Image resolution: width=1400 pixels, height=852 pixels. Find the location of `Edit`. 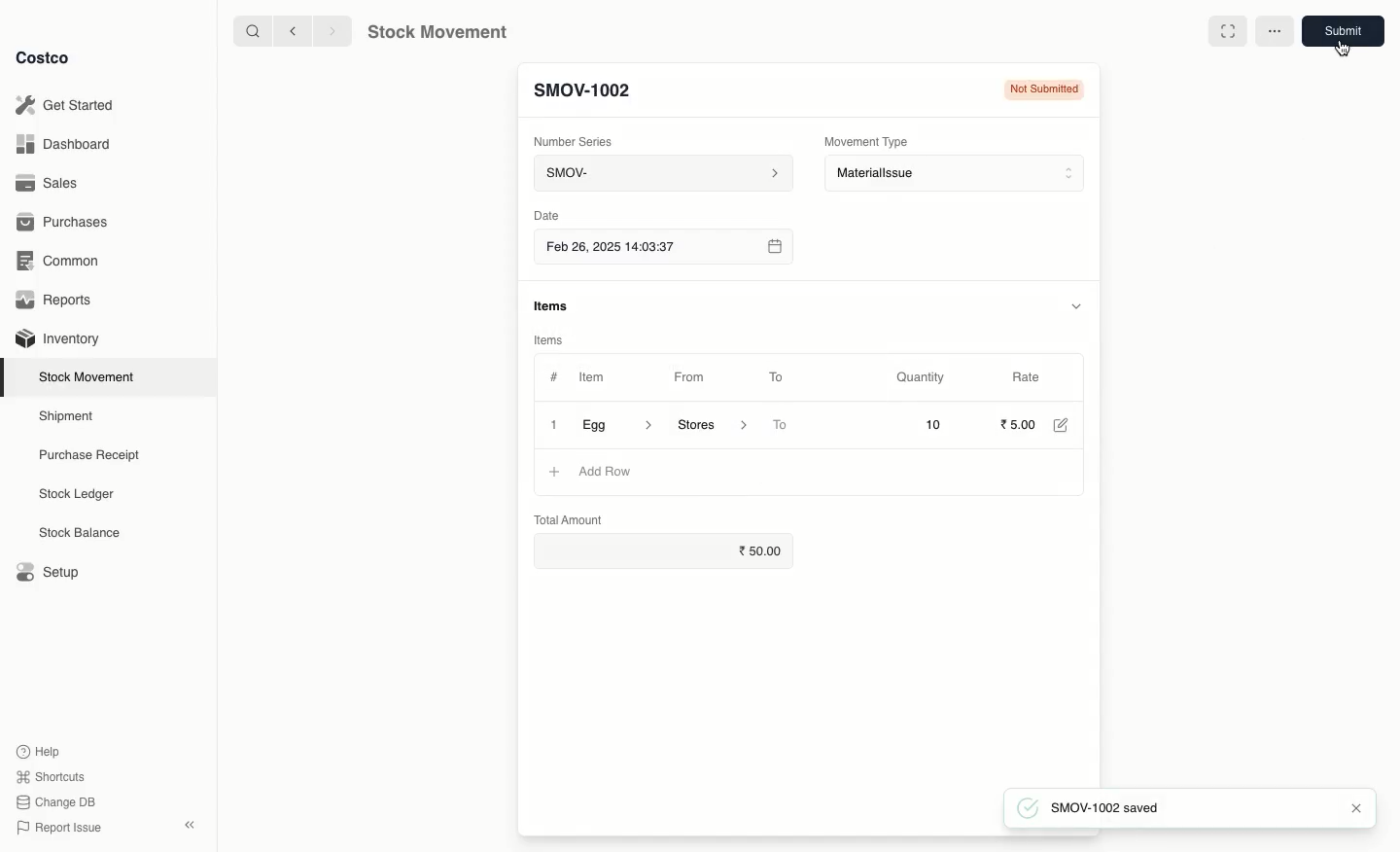

Edit is located at coordinates (1066, 427).